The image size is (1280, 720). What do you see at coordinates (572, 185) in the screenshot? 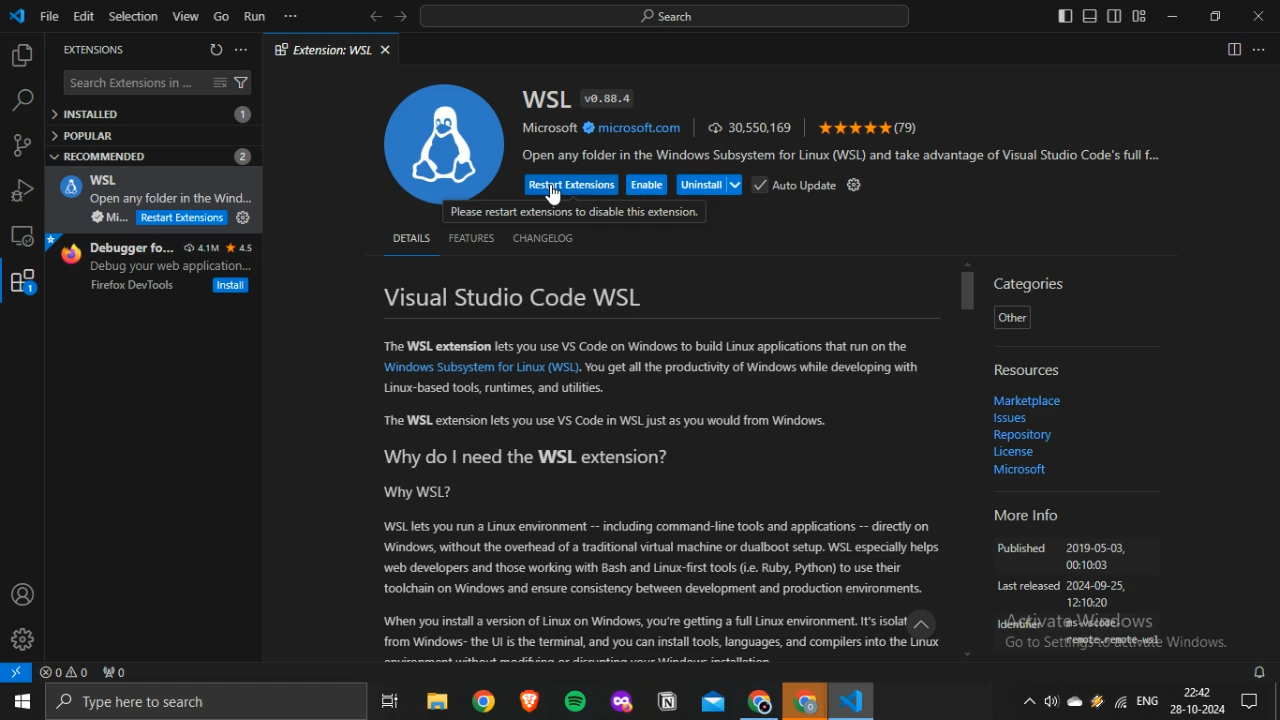
I see `Restart Extensions` at bounding box center [572, 185].